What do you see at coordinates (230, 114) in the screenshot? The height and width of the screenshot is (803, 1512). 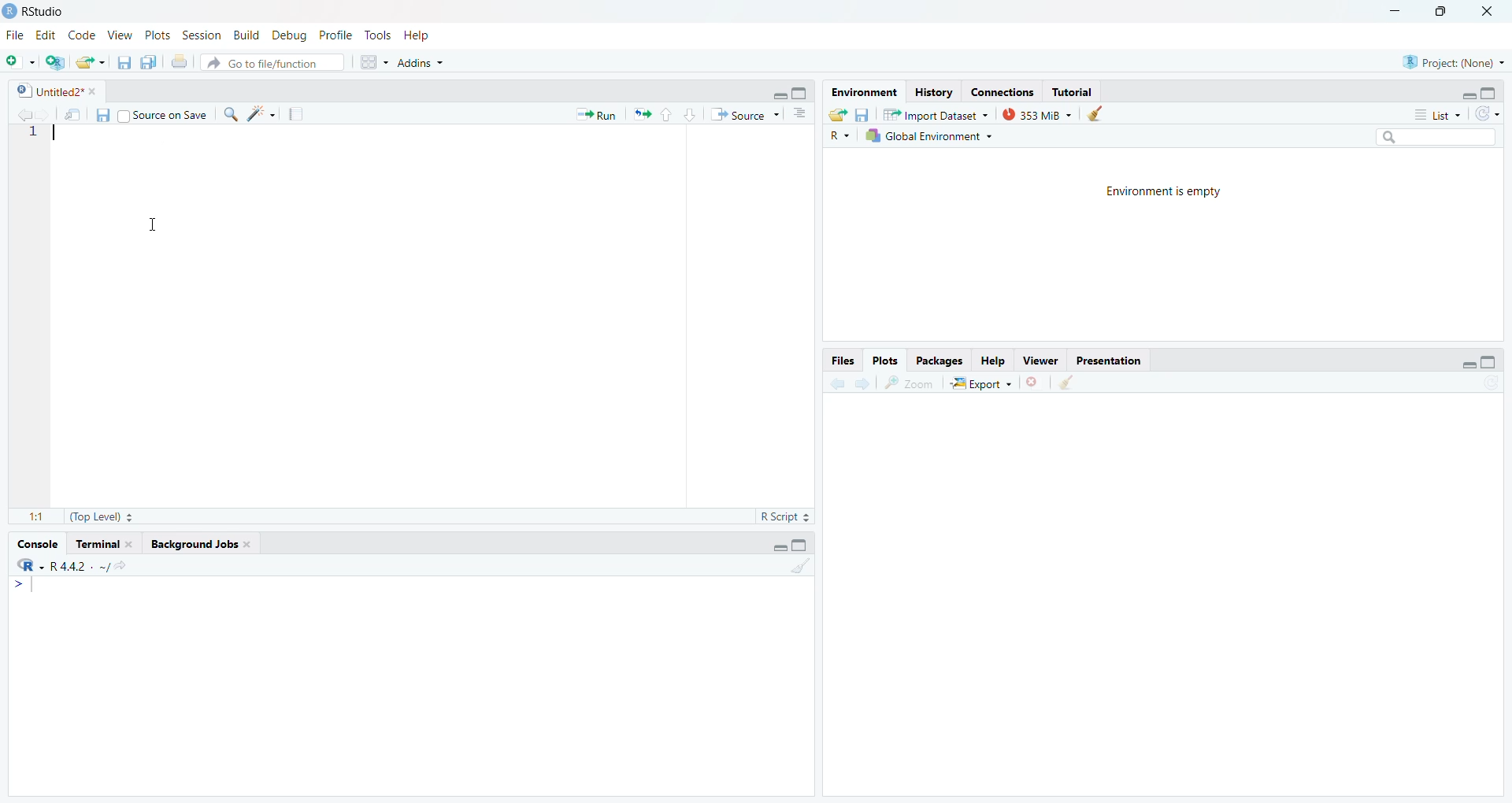 I see `find/replace` at bounding box center [230, 114].